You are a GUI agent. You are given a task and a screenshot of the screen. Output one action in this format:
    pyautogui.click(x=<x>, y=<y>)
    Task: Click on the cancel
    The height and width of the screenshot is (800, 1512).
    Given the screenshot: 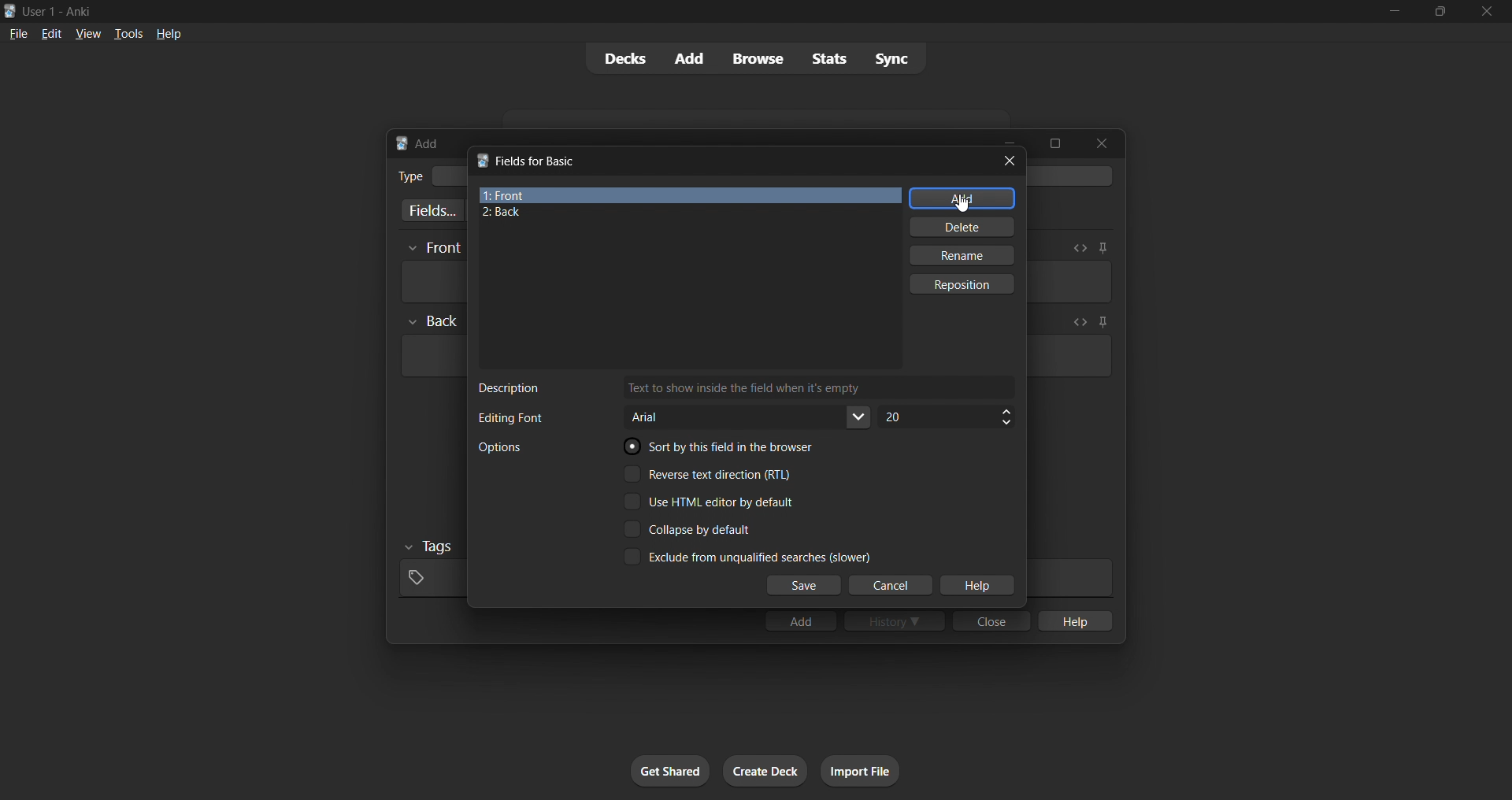 What is the action you would take?
    pyautogui.click(x=892, y=586)
    